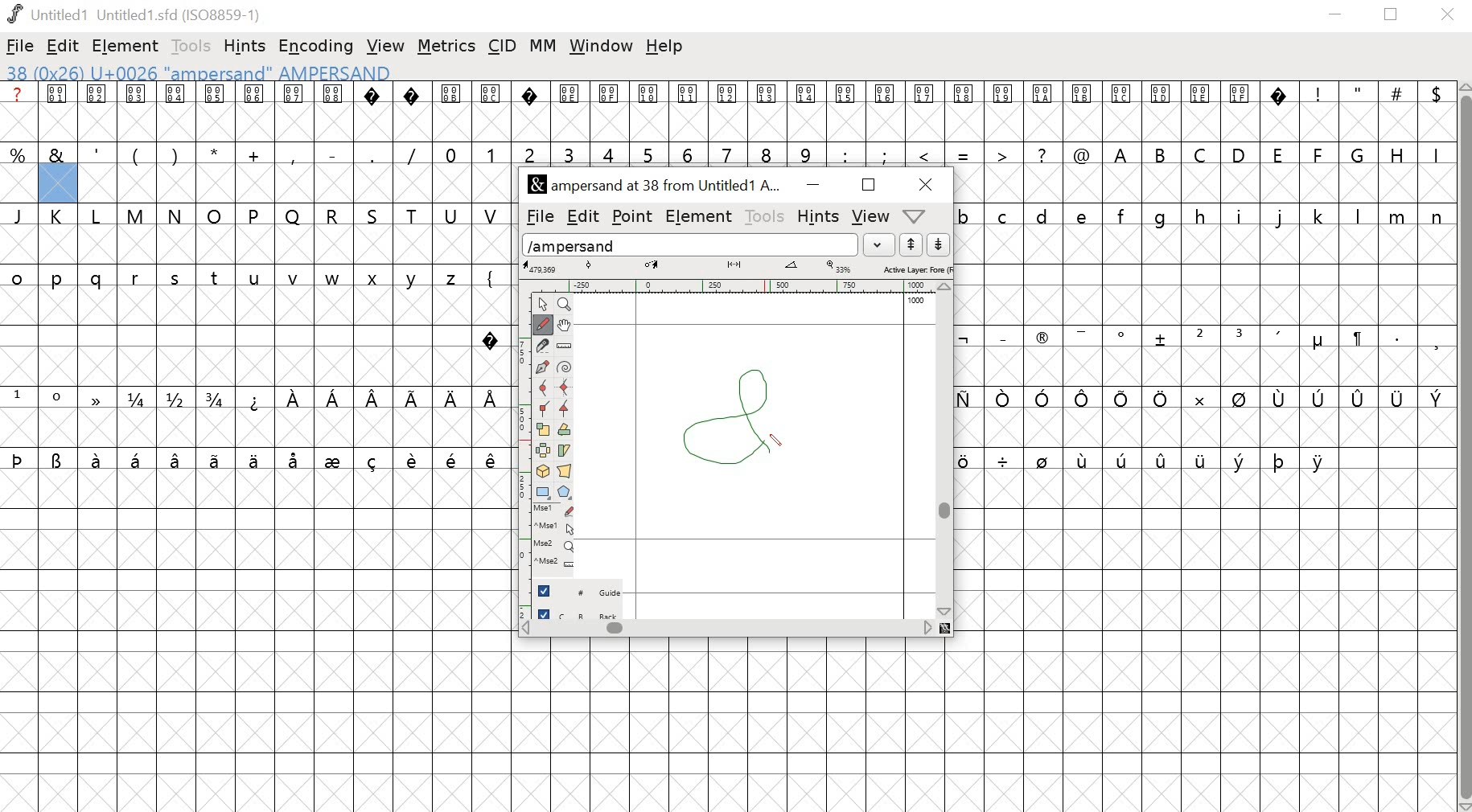 This screenshot has width=1472, height=812. What do you see at coordinates (779, 439) in the screenshot?
I see `pen after drawing glyphy` at bounding box center [779, 439].